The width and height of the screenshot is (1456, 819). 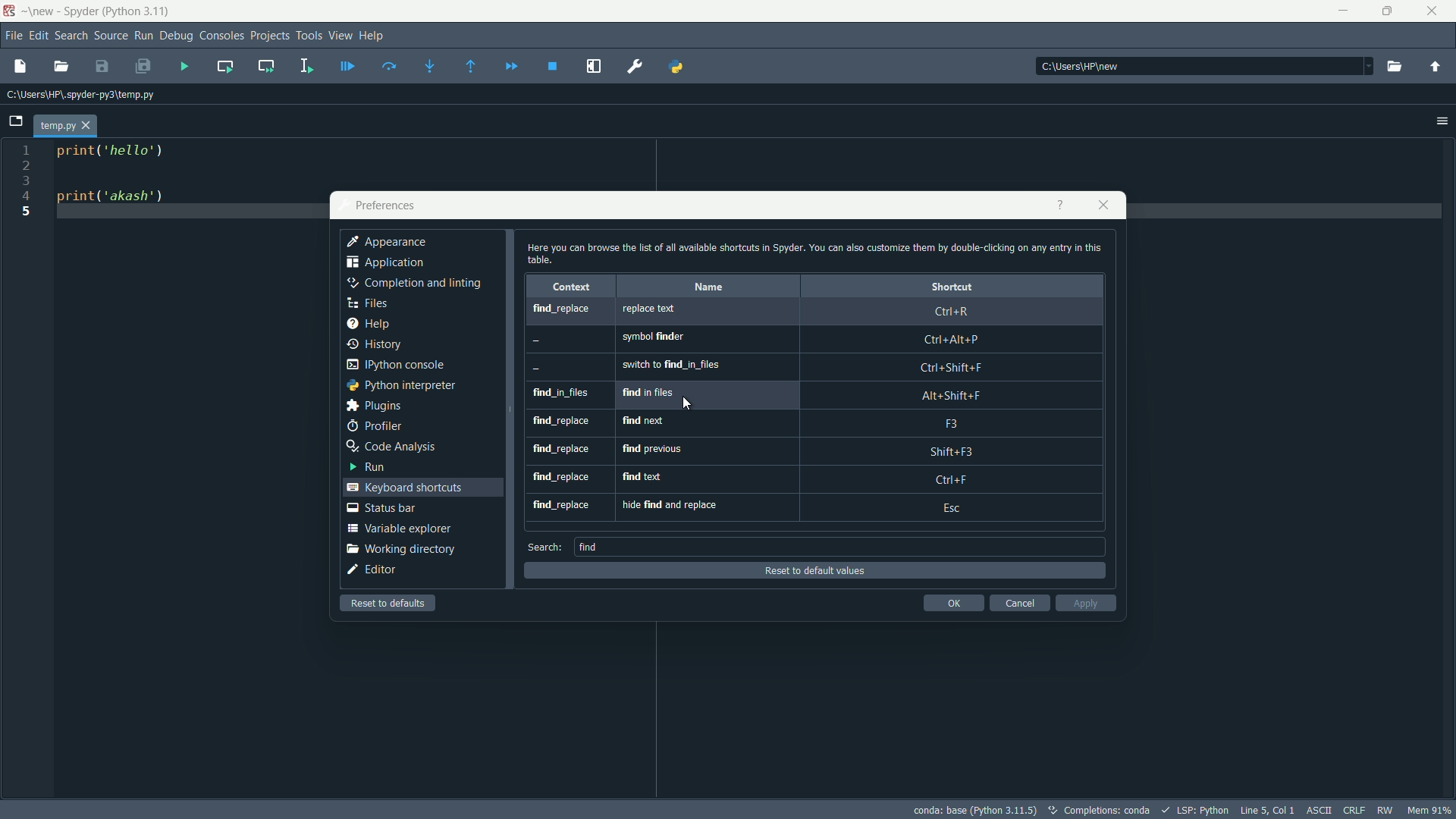 What do you see at coordinates (811, 396) in the screenshot?
I see `find_in_files, find in files, alt+shift+f` at bounding box center [811, 396].